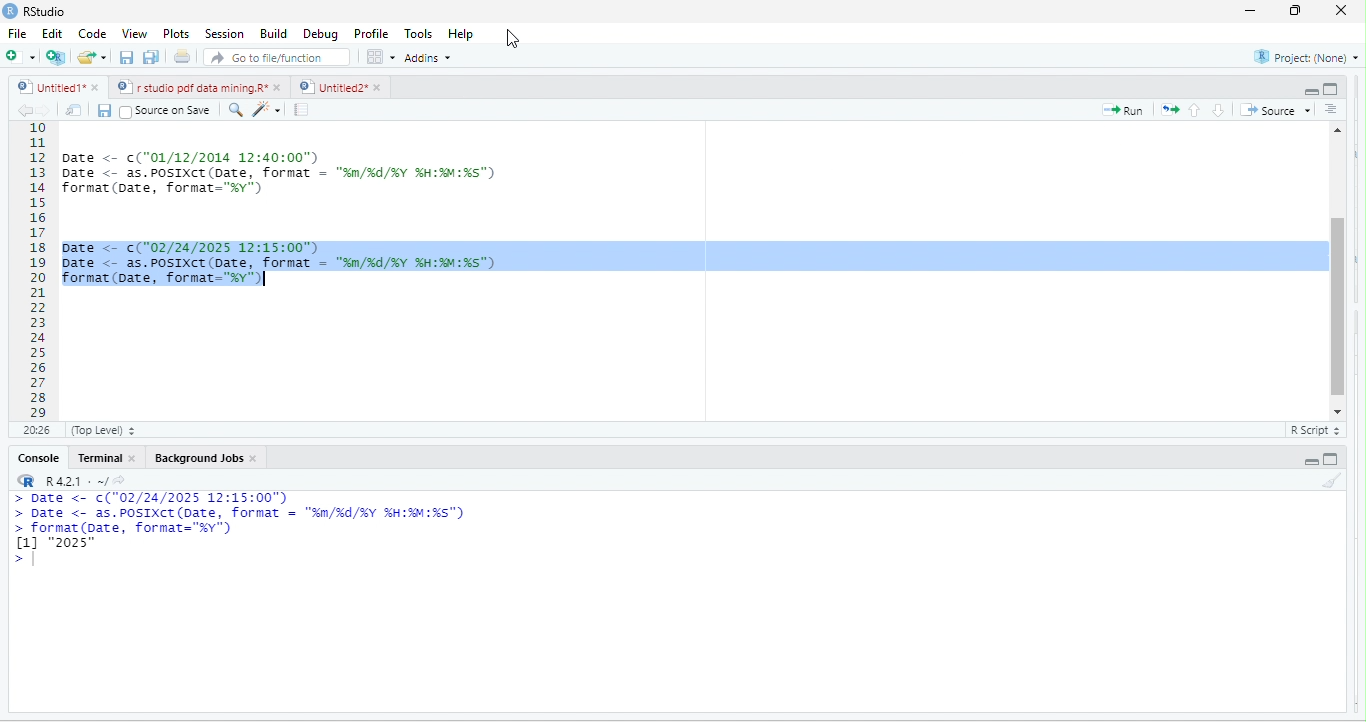  I want to click on typing cursor, so click(35, 561).